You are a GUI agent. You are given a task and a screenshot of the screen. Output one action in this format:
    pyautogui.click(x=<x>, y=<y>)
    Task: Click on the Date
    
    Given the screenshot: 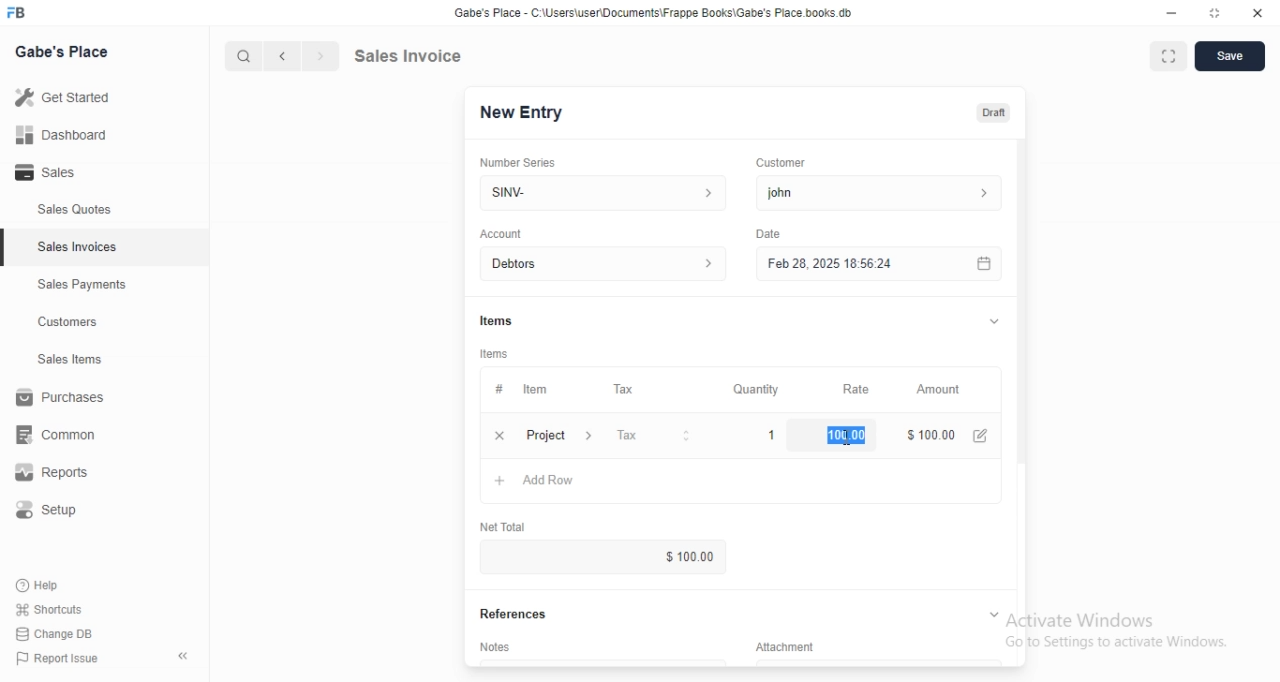 What is the action you would take?
    pyautogui.click(x=768, y=232)
    